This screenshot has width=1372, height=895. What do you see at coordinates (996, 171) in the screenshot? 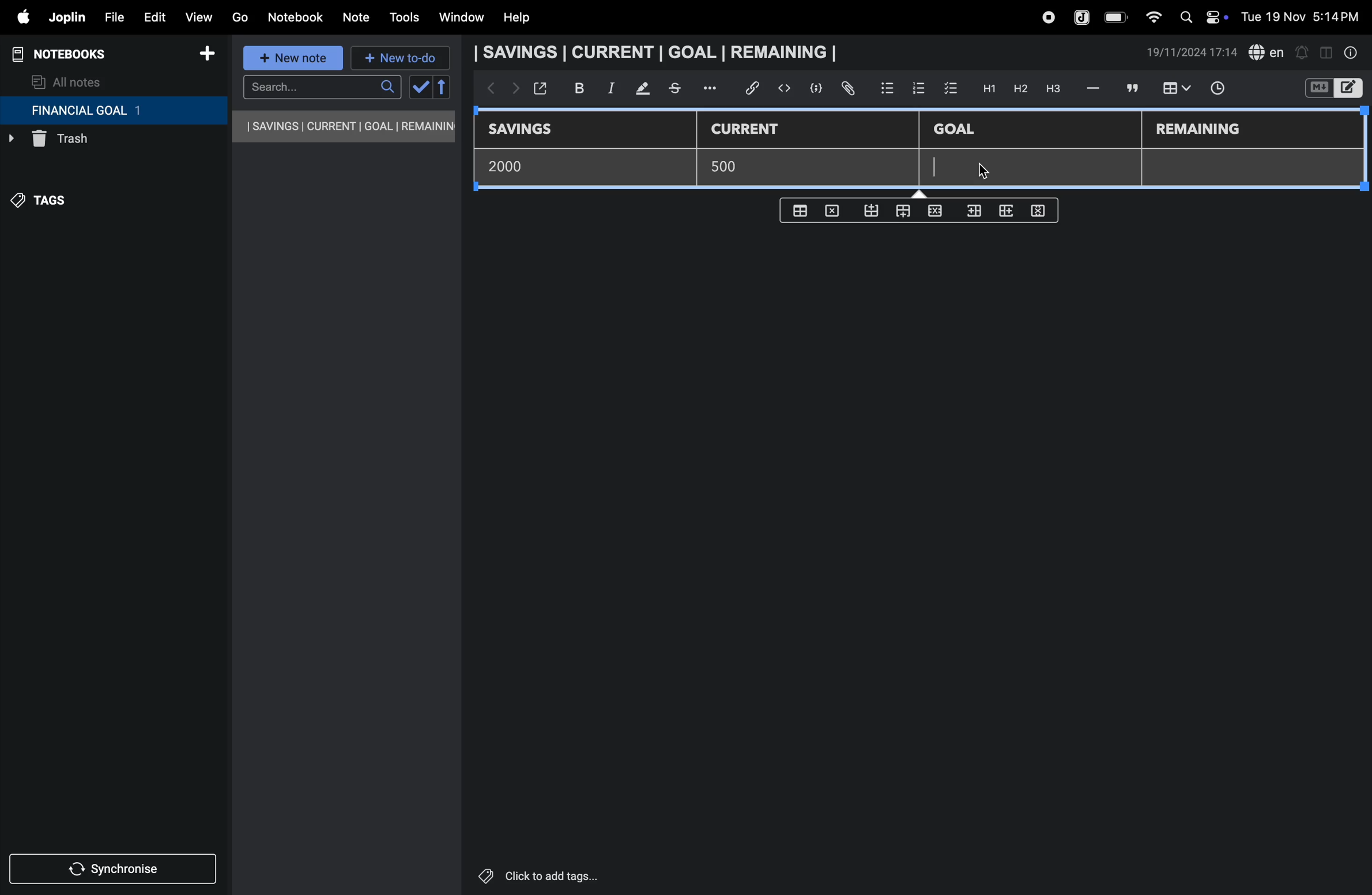
I see `cursor` at bounding box center [996, 171].